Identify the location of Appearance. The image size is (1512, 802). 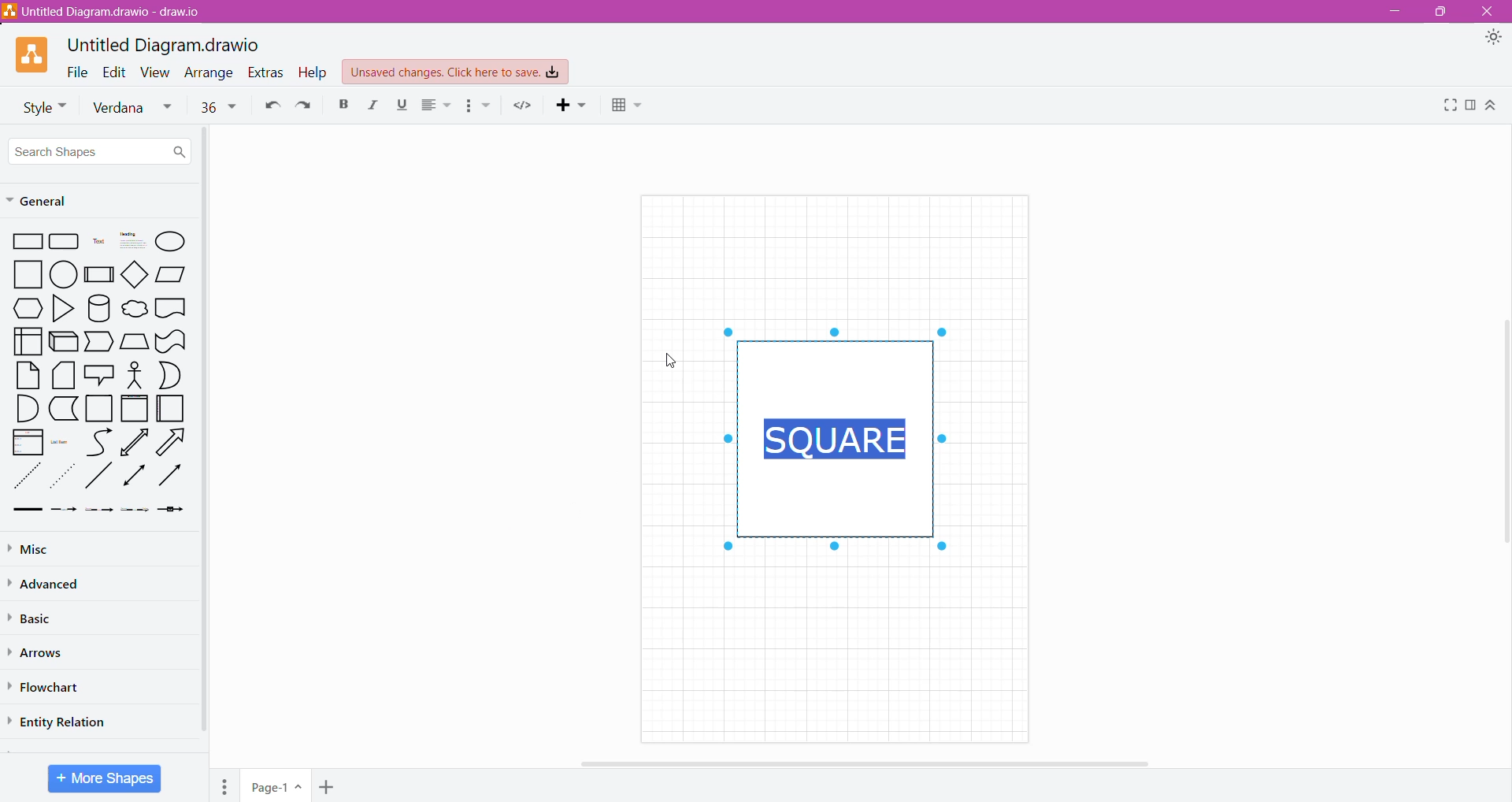
(1492, 39).